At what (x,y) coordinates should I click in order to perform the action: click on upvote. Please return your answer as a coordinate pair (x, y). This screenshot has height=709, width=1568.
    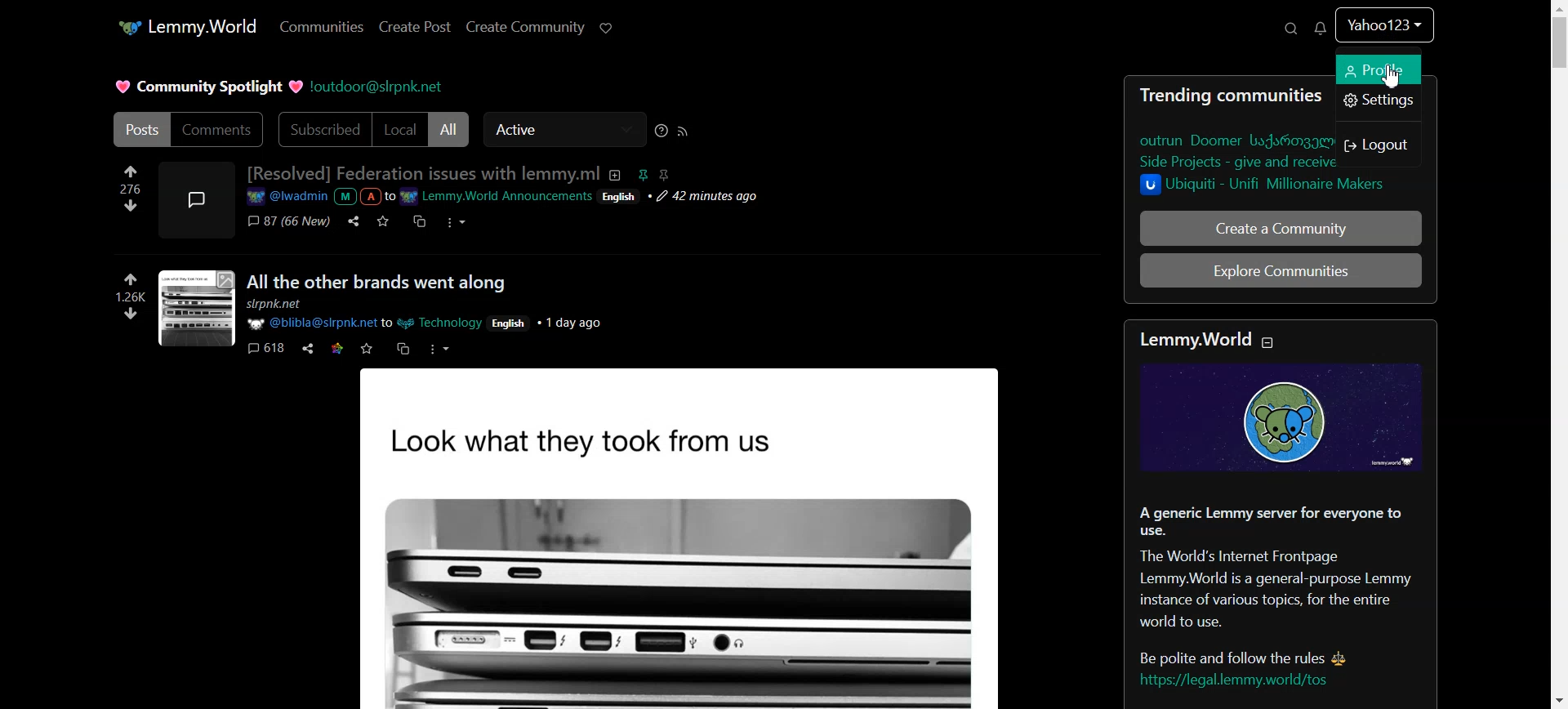
    Looking at the image, I should click on (131, 279).